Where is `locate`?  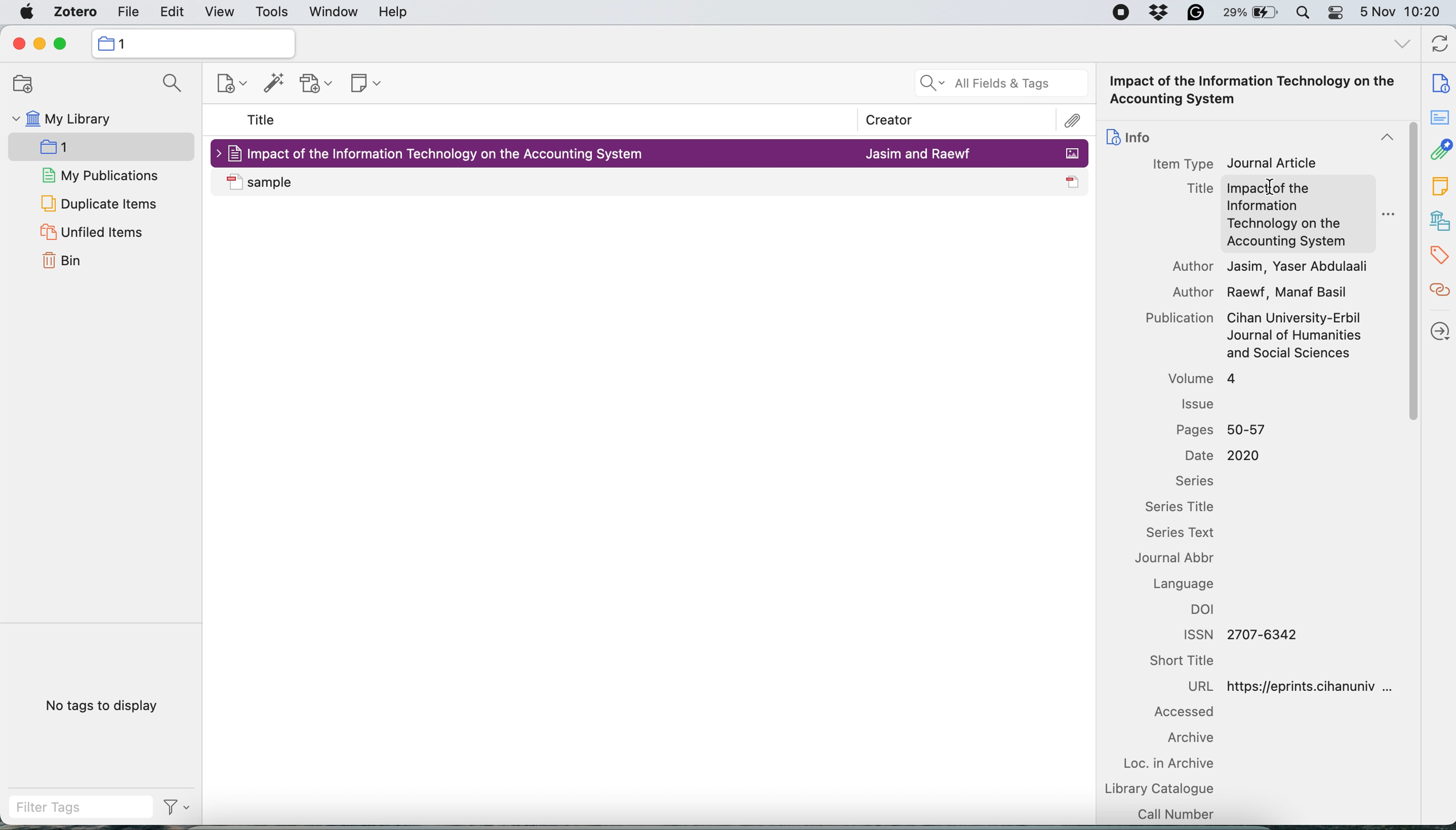 locate is located at coordinates (1438, 332).